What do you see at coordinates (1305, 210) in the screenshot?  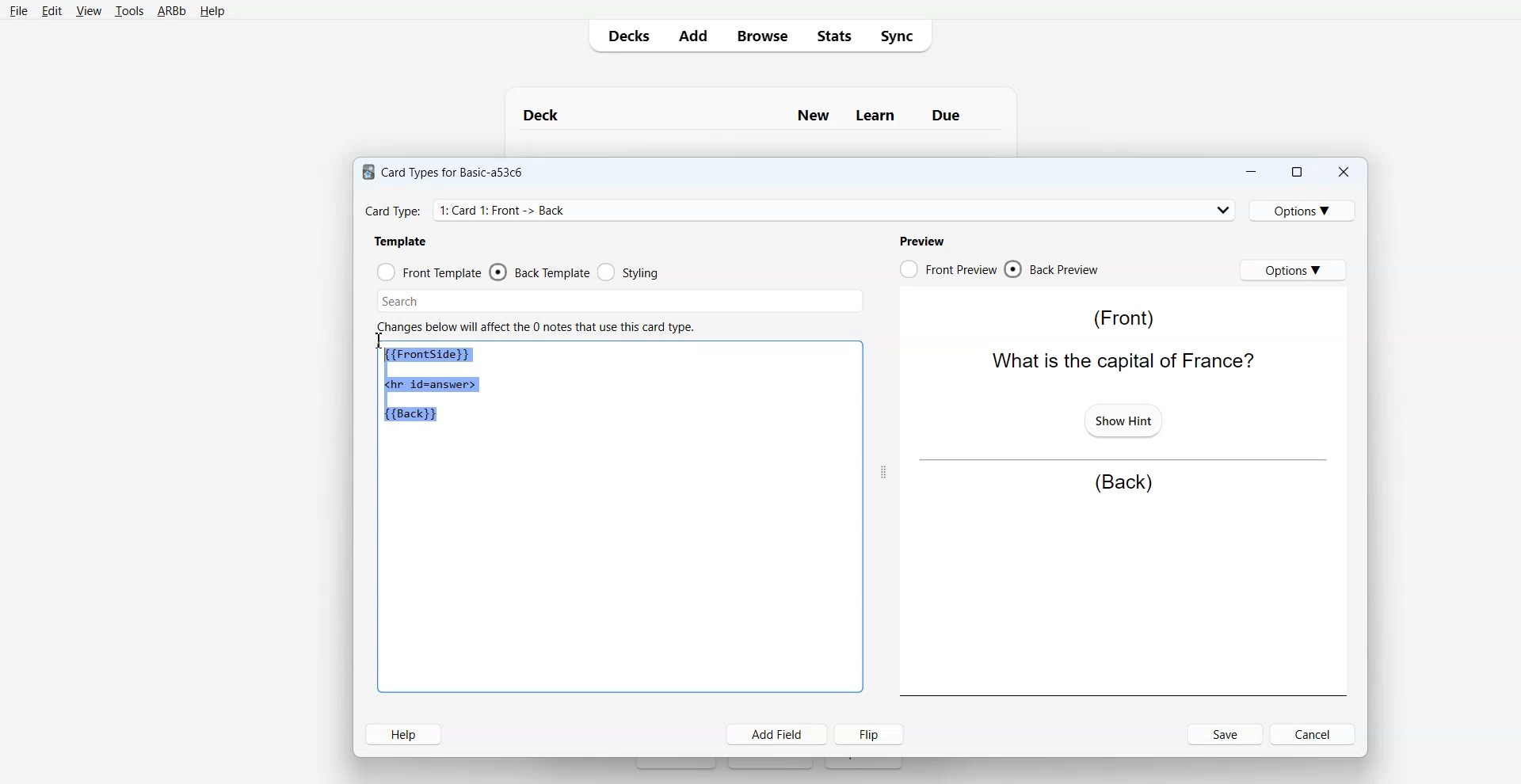 I see `Options` at bounding box center [1305, 210].